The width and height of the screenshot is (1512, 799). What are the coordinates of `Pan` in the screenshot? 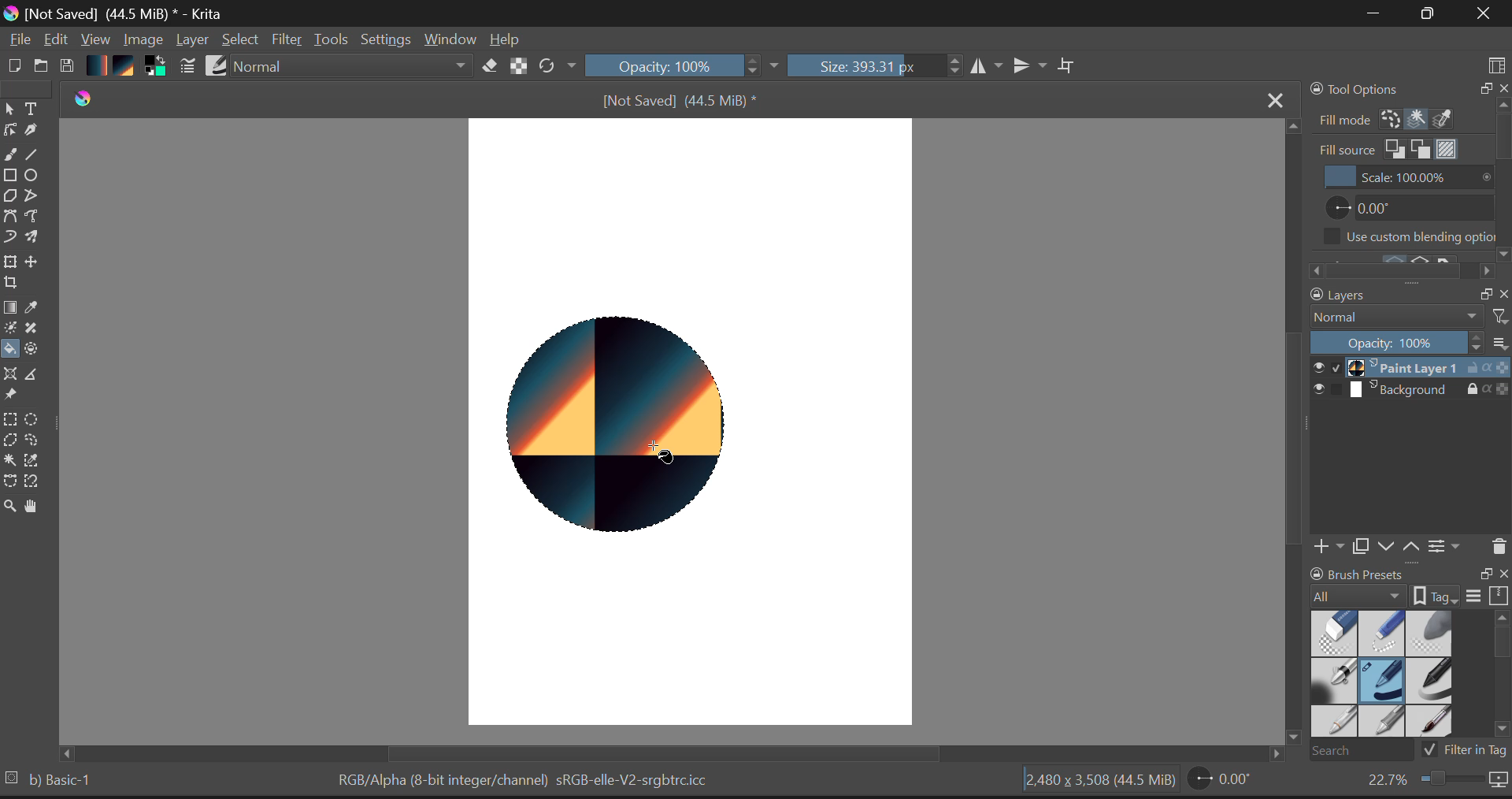 It's located at (35, 507).